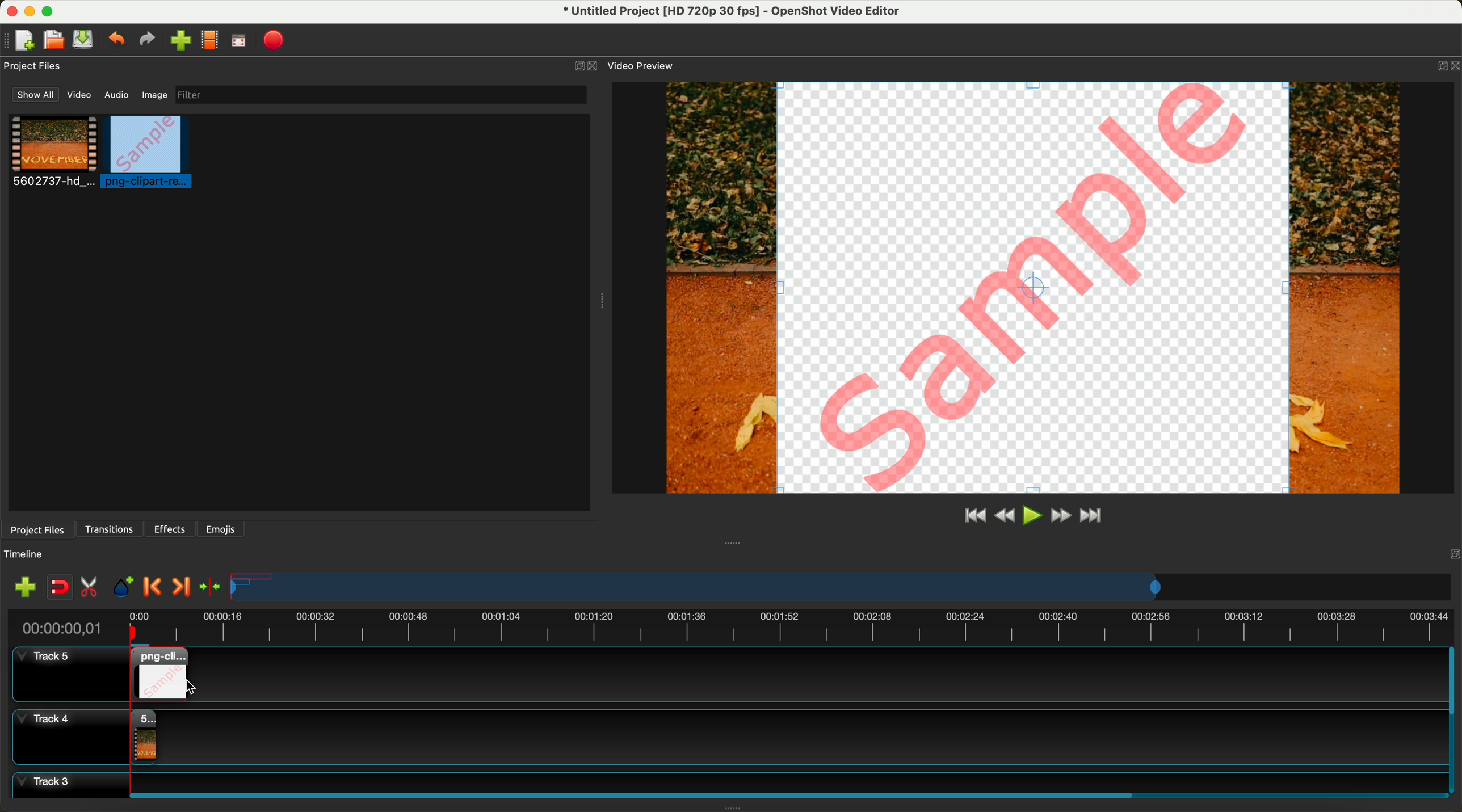 The height and width of the screenshot is (812, 1462). Describe the element at coordinates (1093, 517) in the screenshot. I see `jump to end` at that location.